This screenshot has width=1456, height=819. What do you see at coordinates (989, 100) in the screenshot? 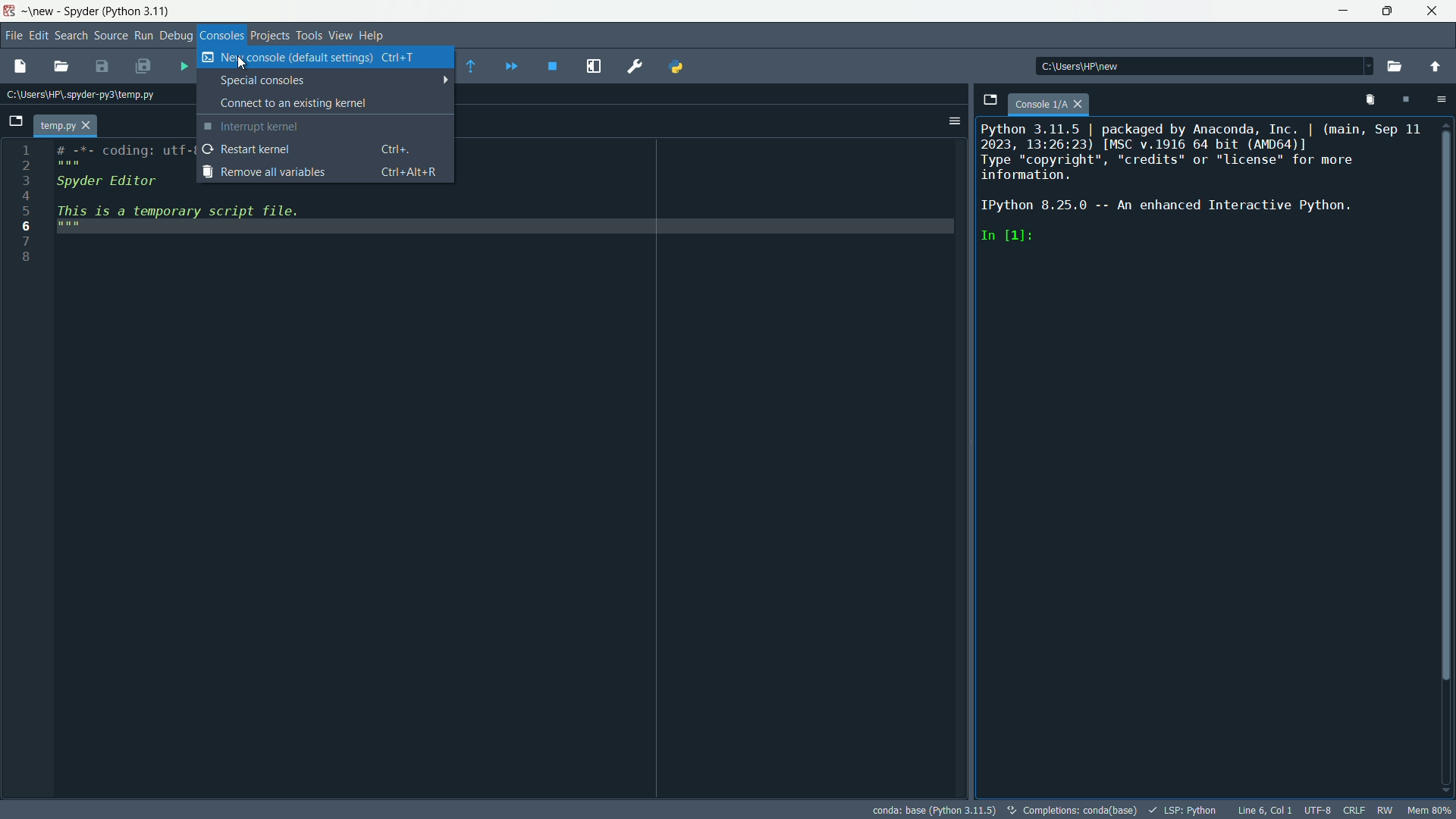
I see `browse tabs` at bounding box center [989, 100].